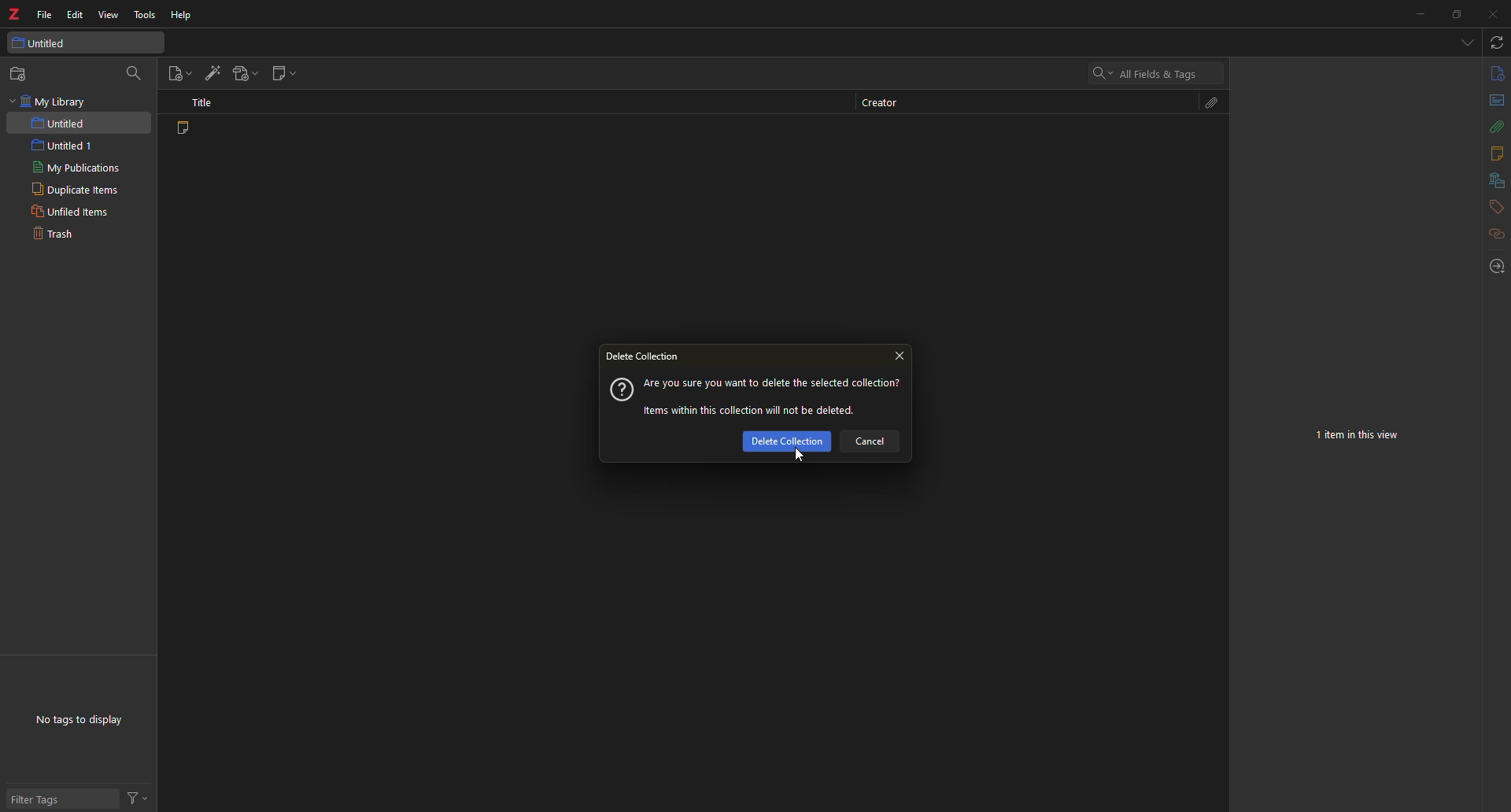  Describe the element at coordinates (881, 101) in the screenshot. I see `creator` at that location.